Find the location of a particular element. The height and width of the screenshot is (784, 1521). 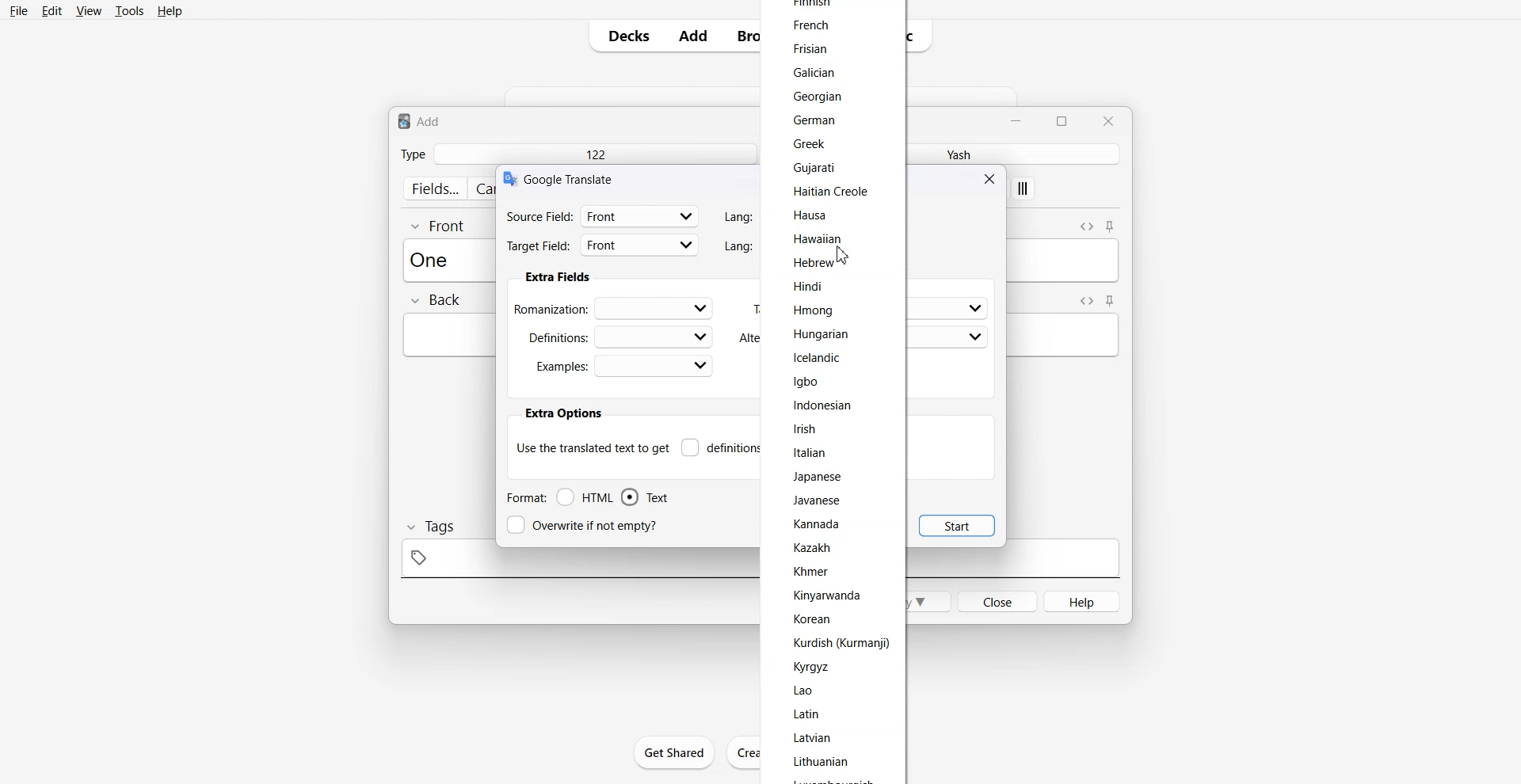

tag space is located at coordinates (575, 563).